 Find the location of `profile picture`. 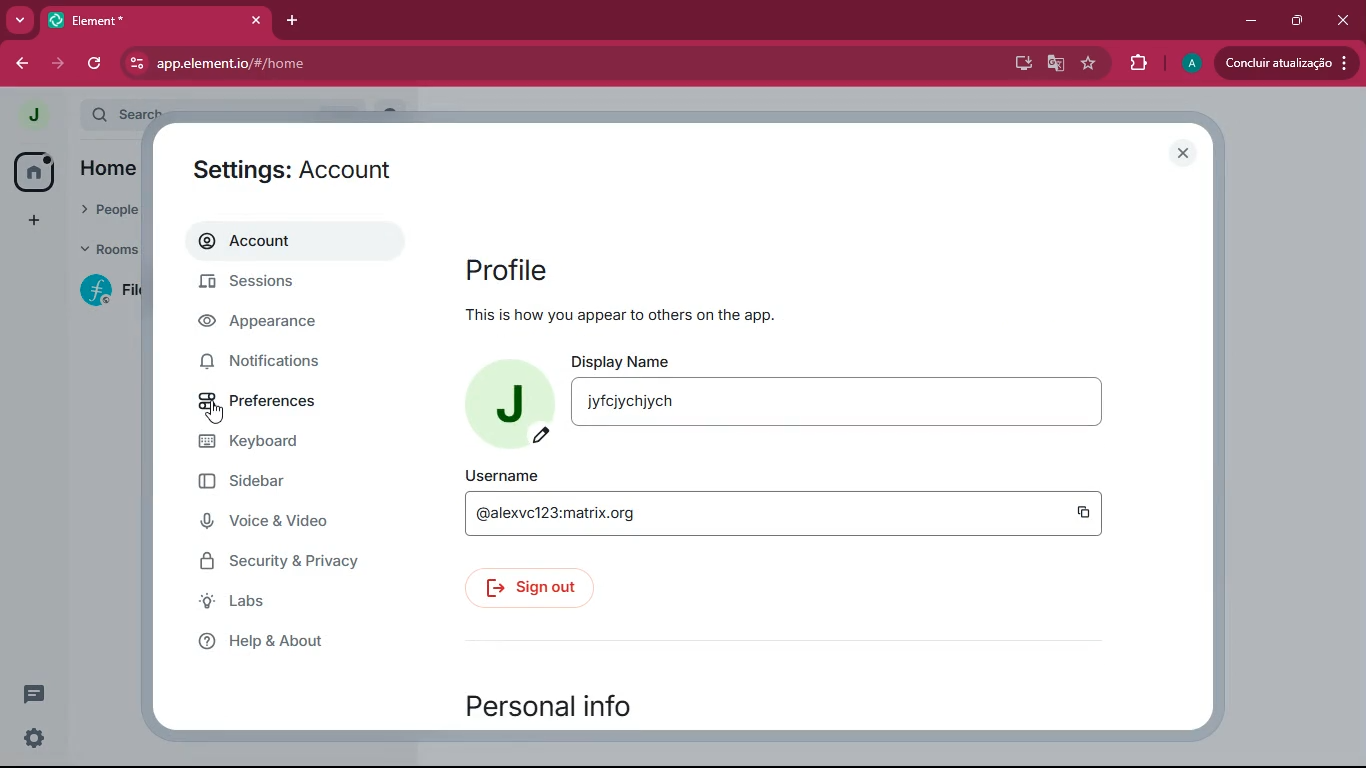

profile picture is located at coordinates (29, 114).